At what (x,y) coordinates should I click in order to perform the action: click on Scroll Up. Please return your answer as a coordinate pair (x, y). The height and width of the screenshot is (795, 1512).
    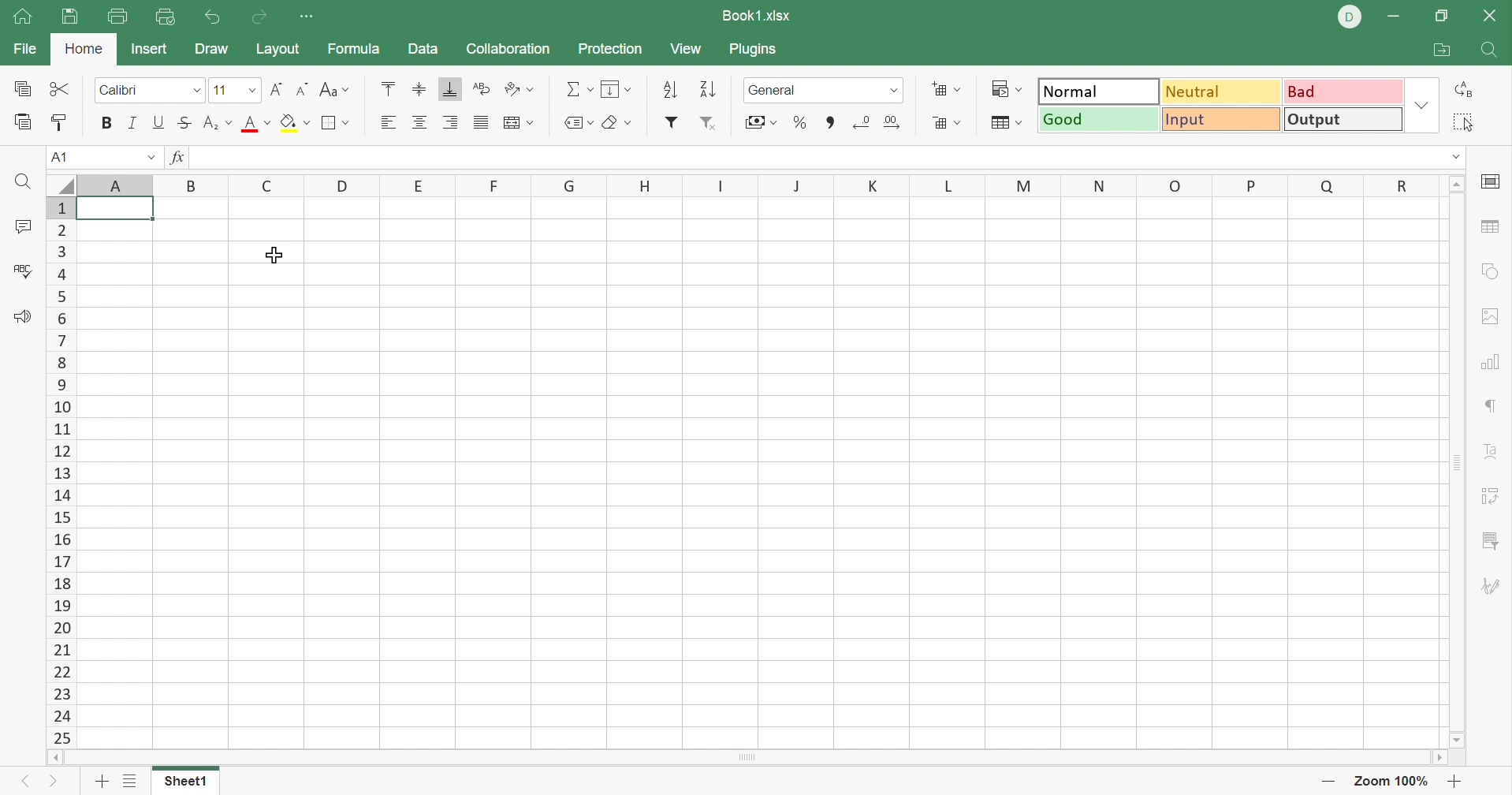
    Looking at the image, I should click on (1456, 185).